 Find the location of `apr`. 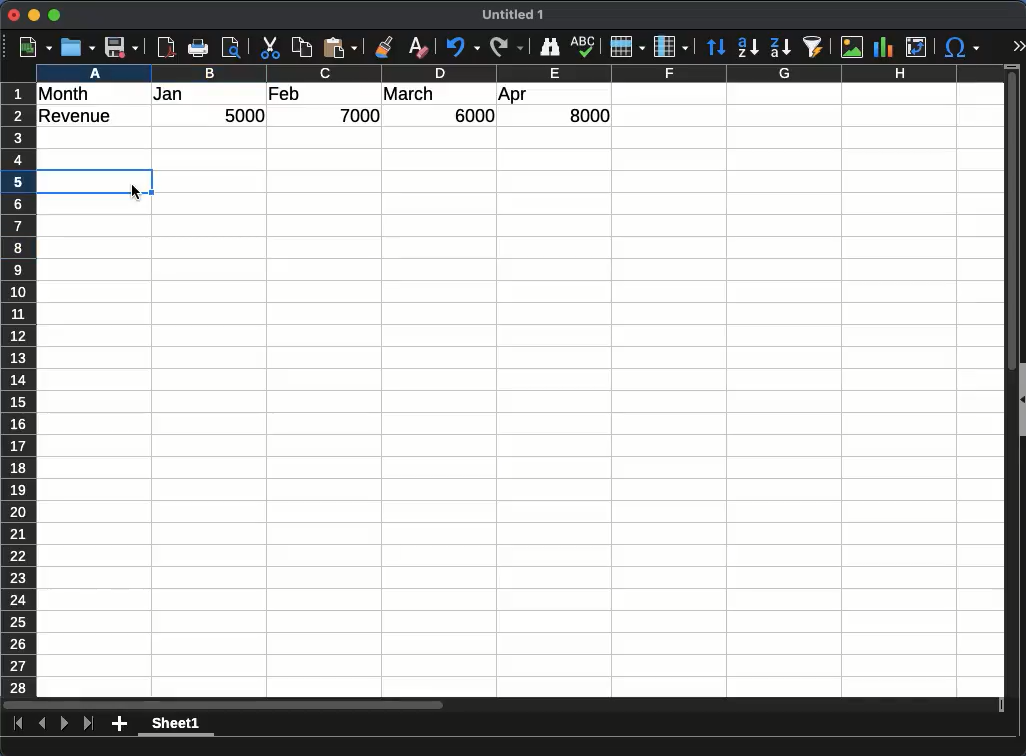

apr is located at coordinates (512, 96).